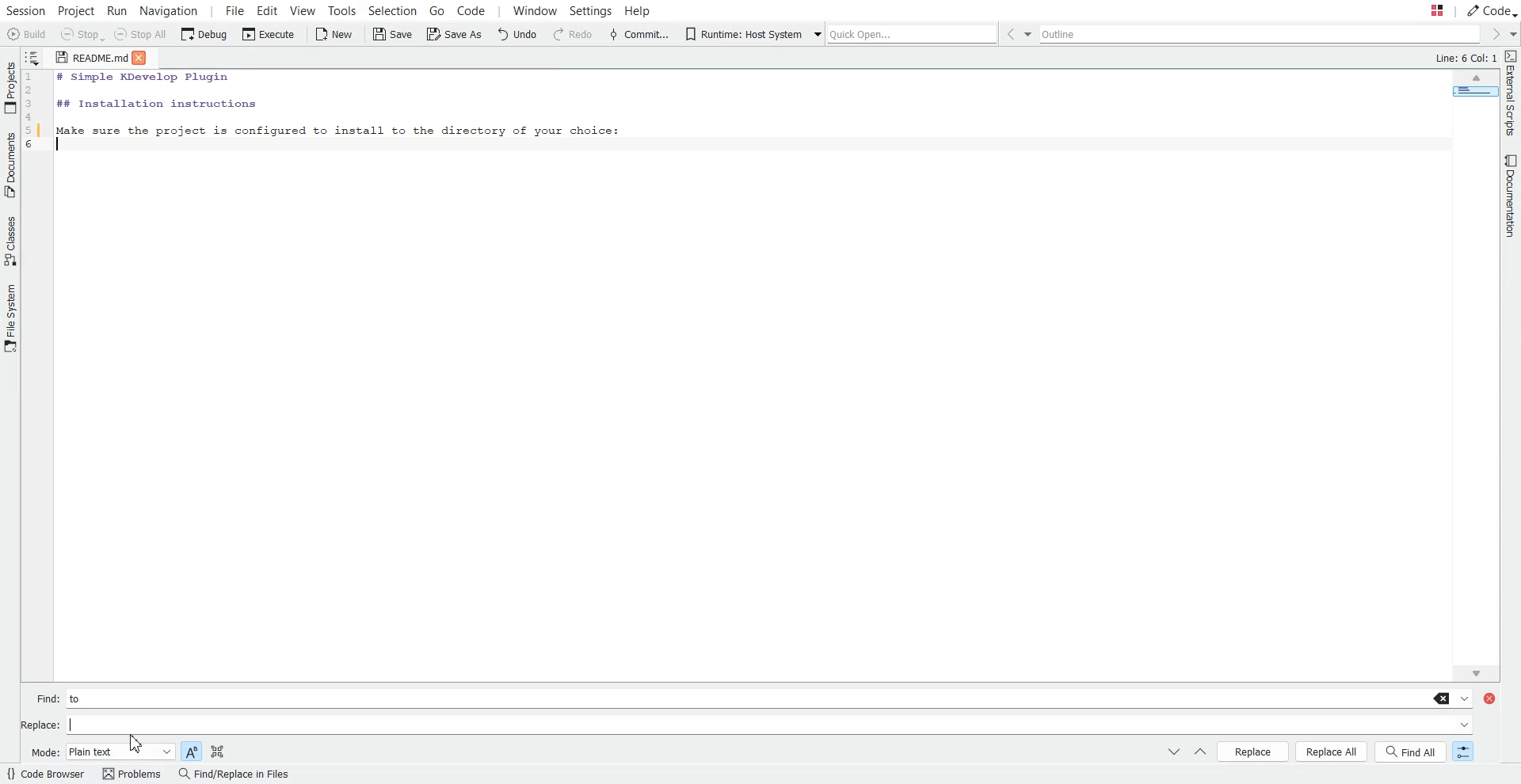  What do you see at coordinates (170, 10) in the screenshot?
I see `Navigation` at bounding box center [170, 10].